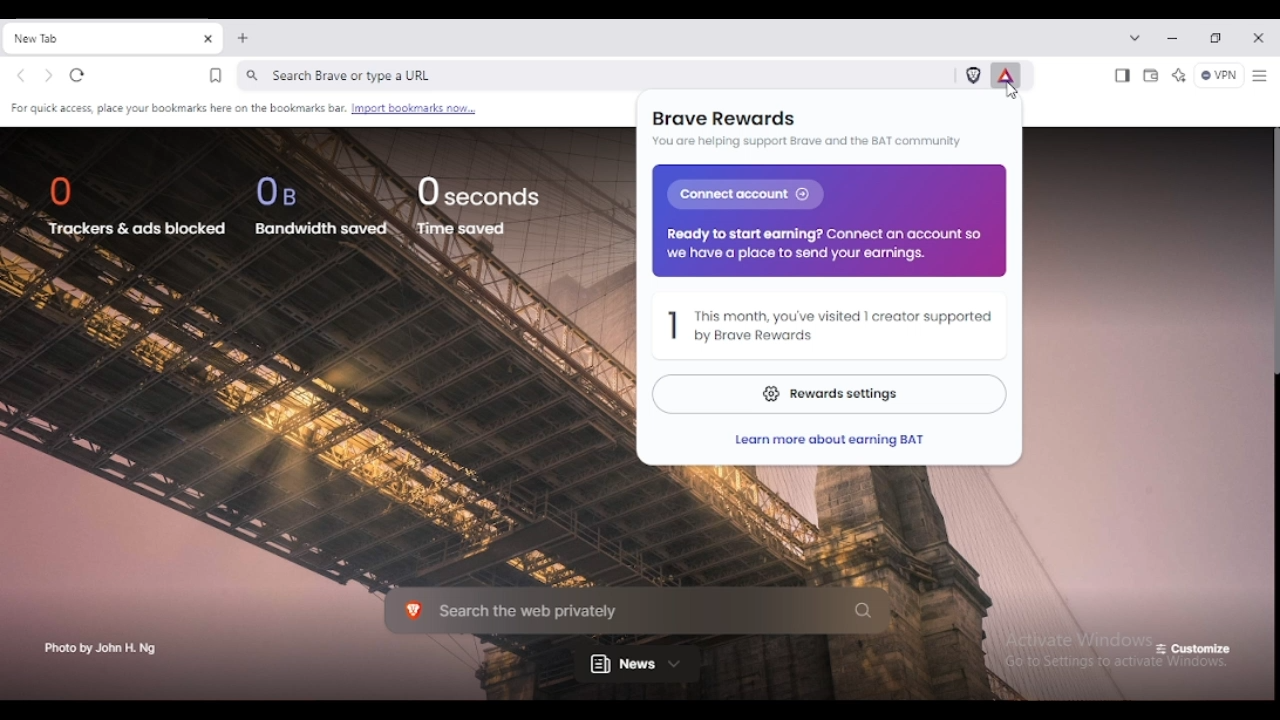 The height and width of the screenshot is (720, 1280). I want to click on cursor, so click(1012, 91).